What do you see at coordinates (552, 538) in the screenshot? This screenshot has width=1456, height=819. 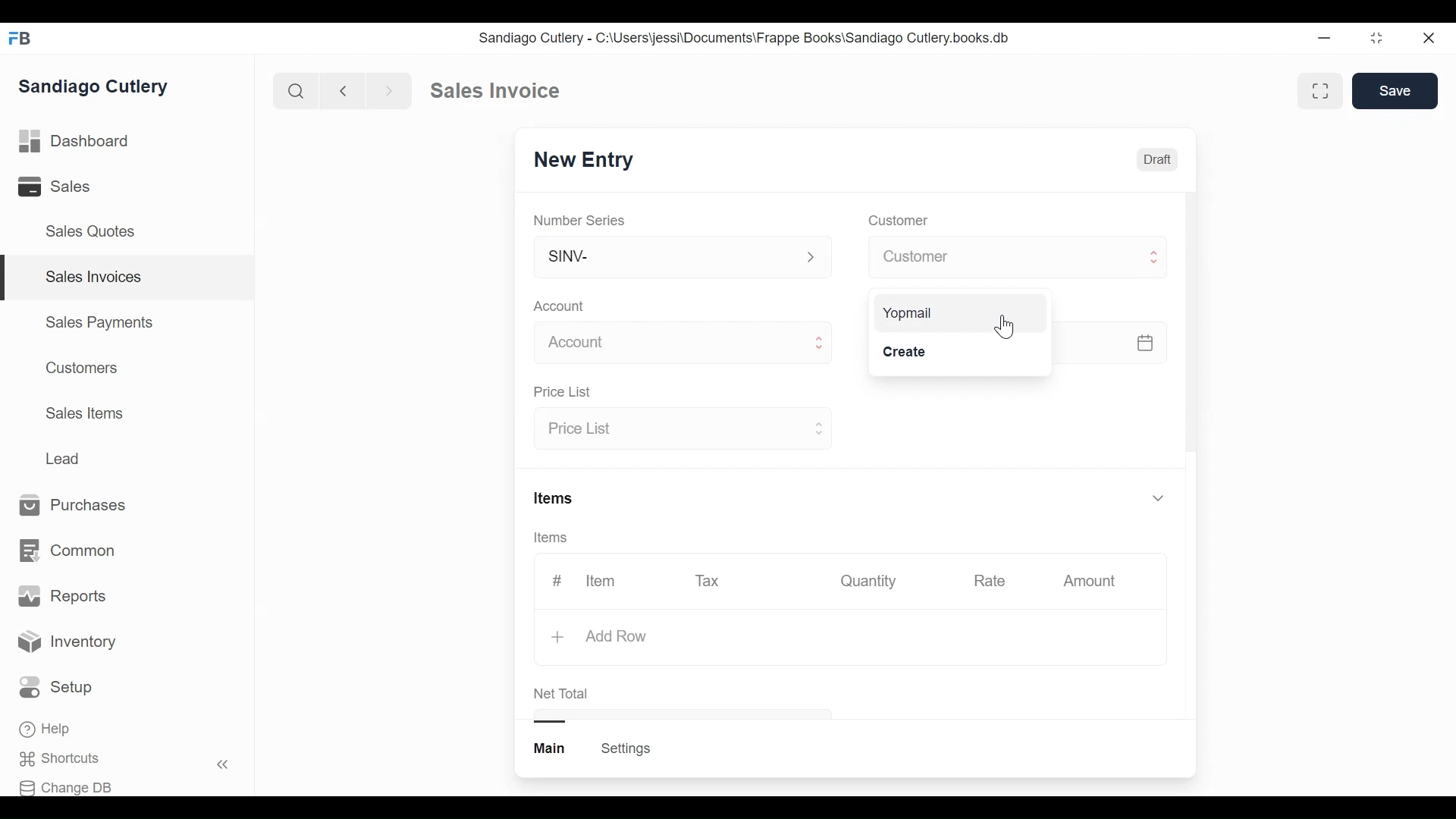 I see `Items` at bounding box center [552, 538].